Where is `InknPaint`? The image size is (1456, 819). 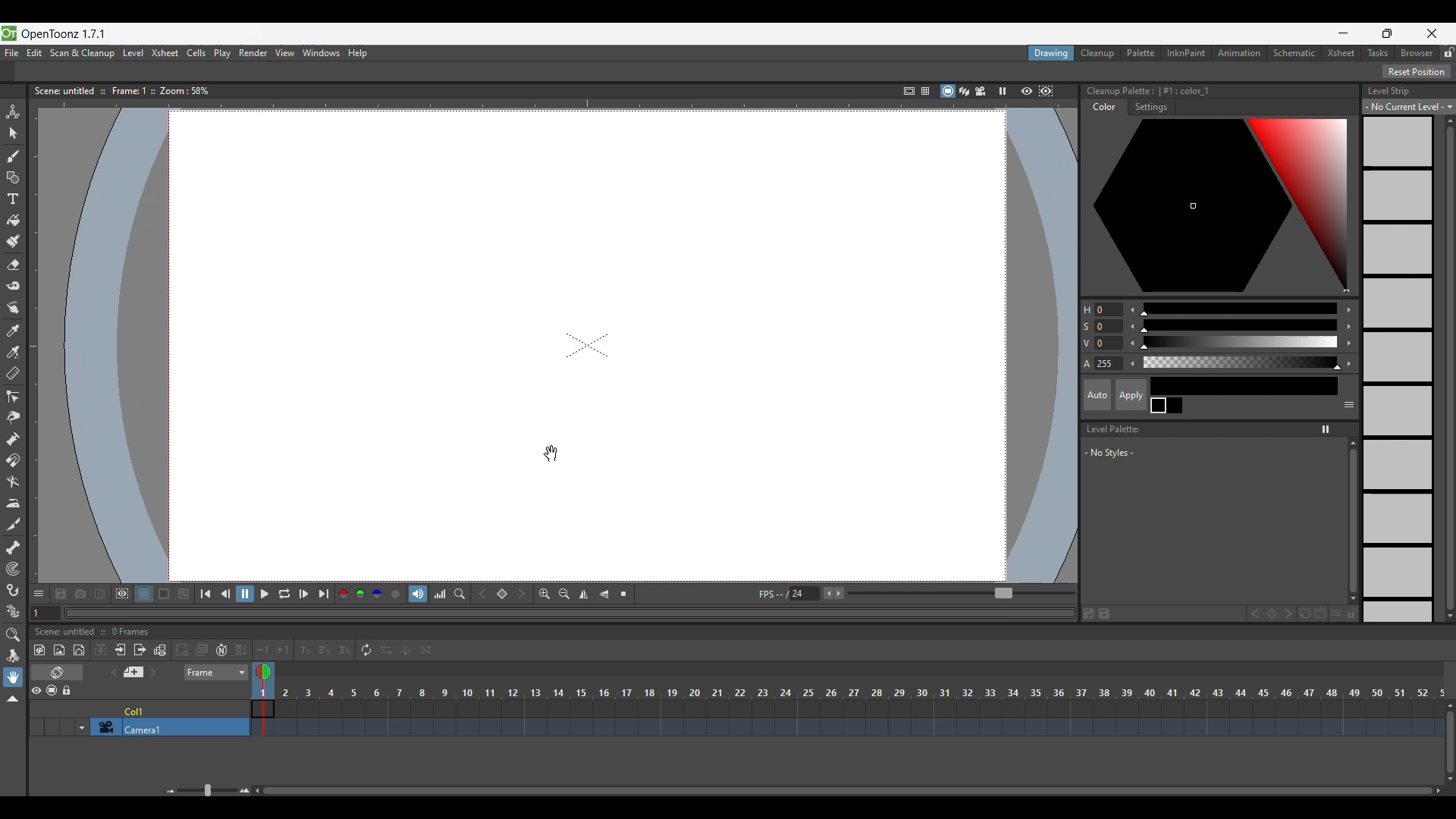
InknPaint is located at coordinates (1185, 53).